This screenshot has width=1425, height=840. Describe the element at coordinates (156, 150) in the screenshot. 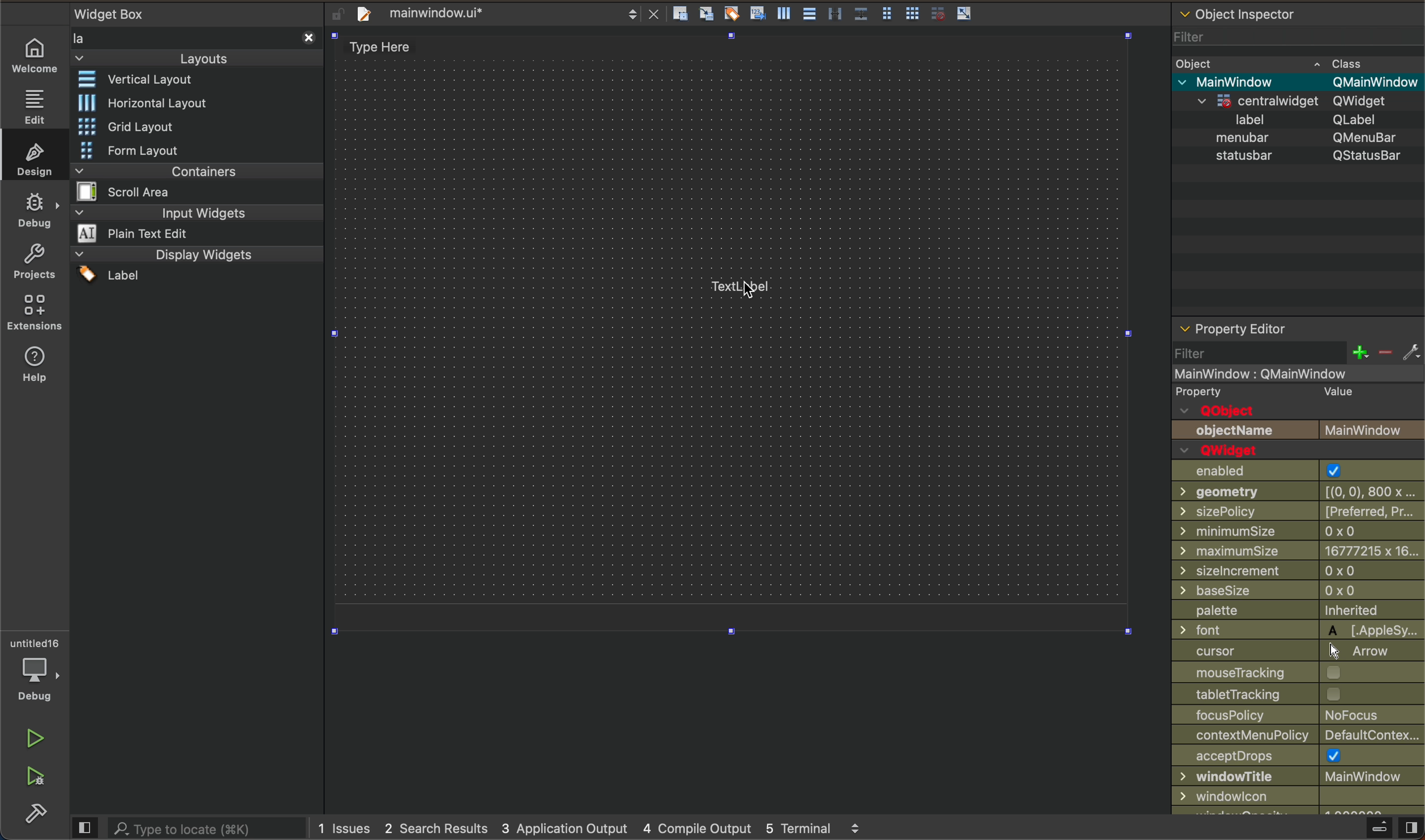

I see `form layout` at that location.